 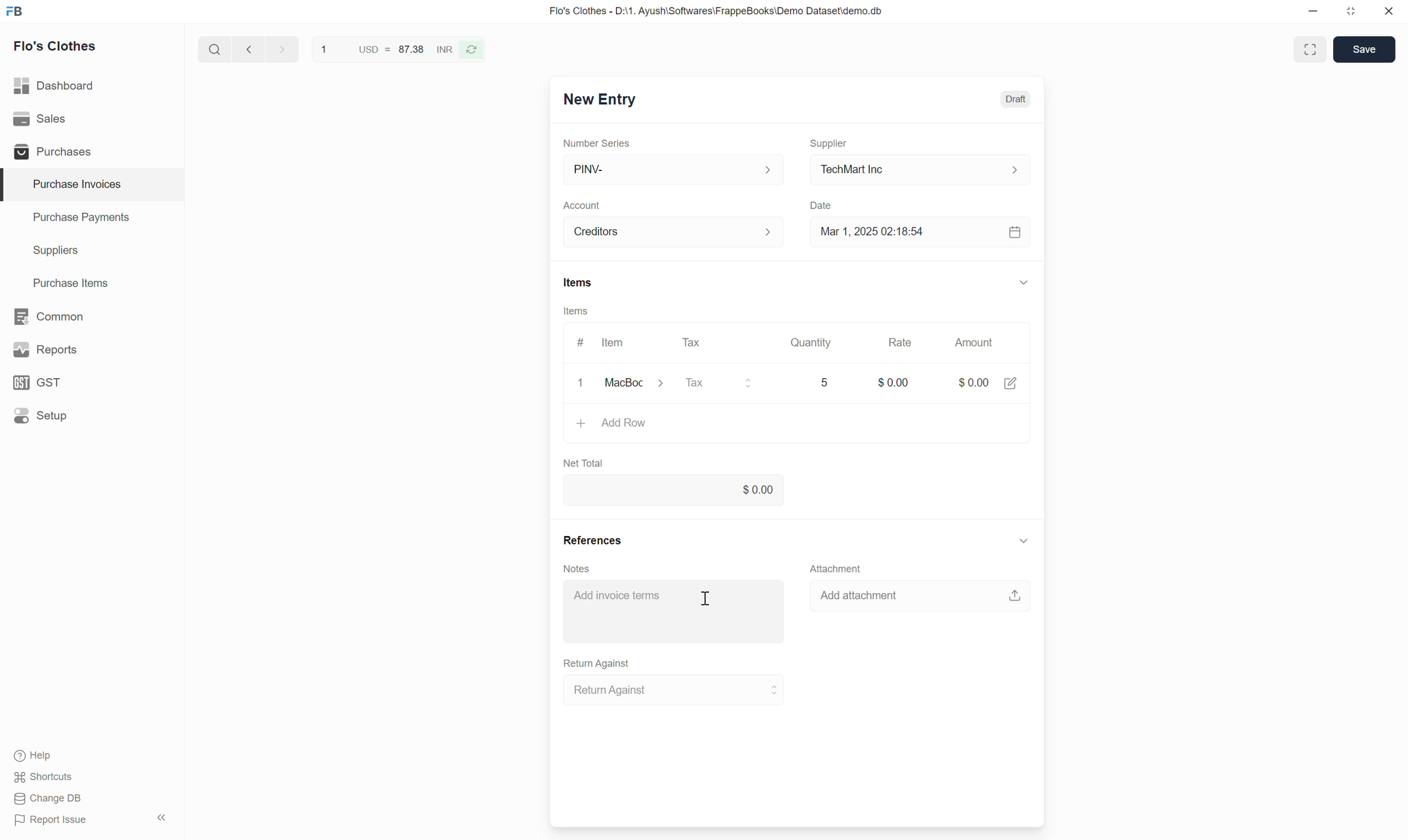 I want to click on Reports, so click(x=92, y=350).